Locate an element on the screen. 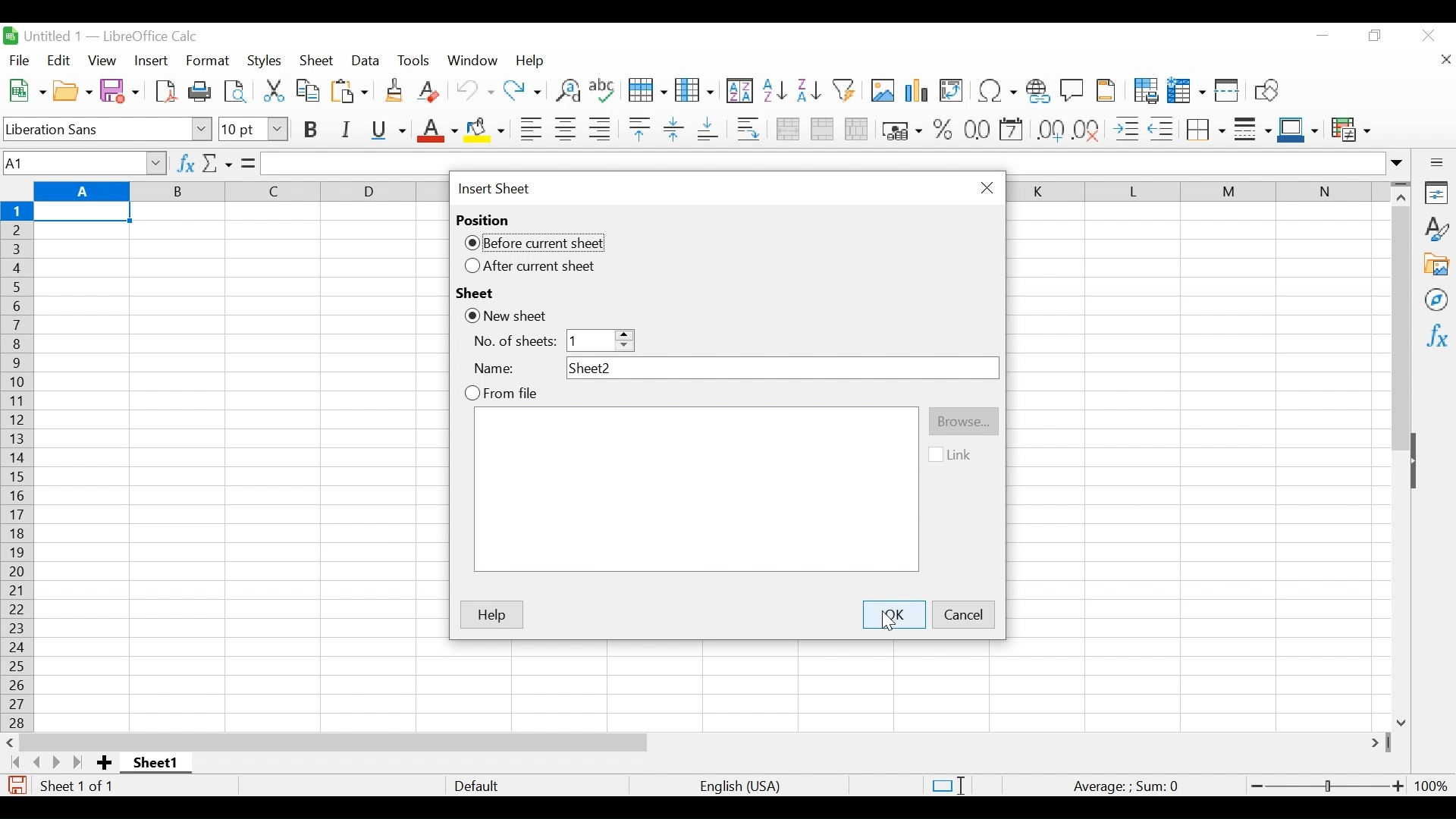 The image size is (1456, 819). Sort is located at coordinates (739, 89).